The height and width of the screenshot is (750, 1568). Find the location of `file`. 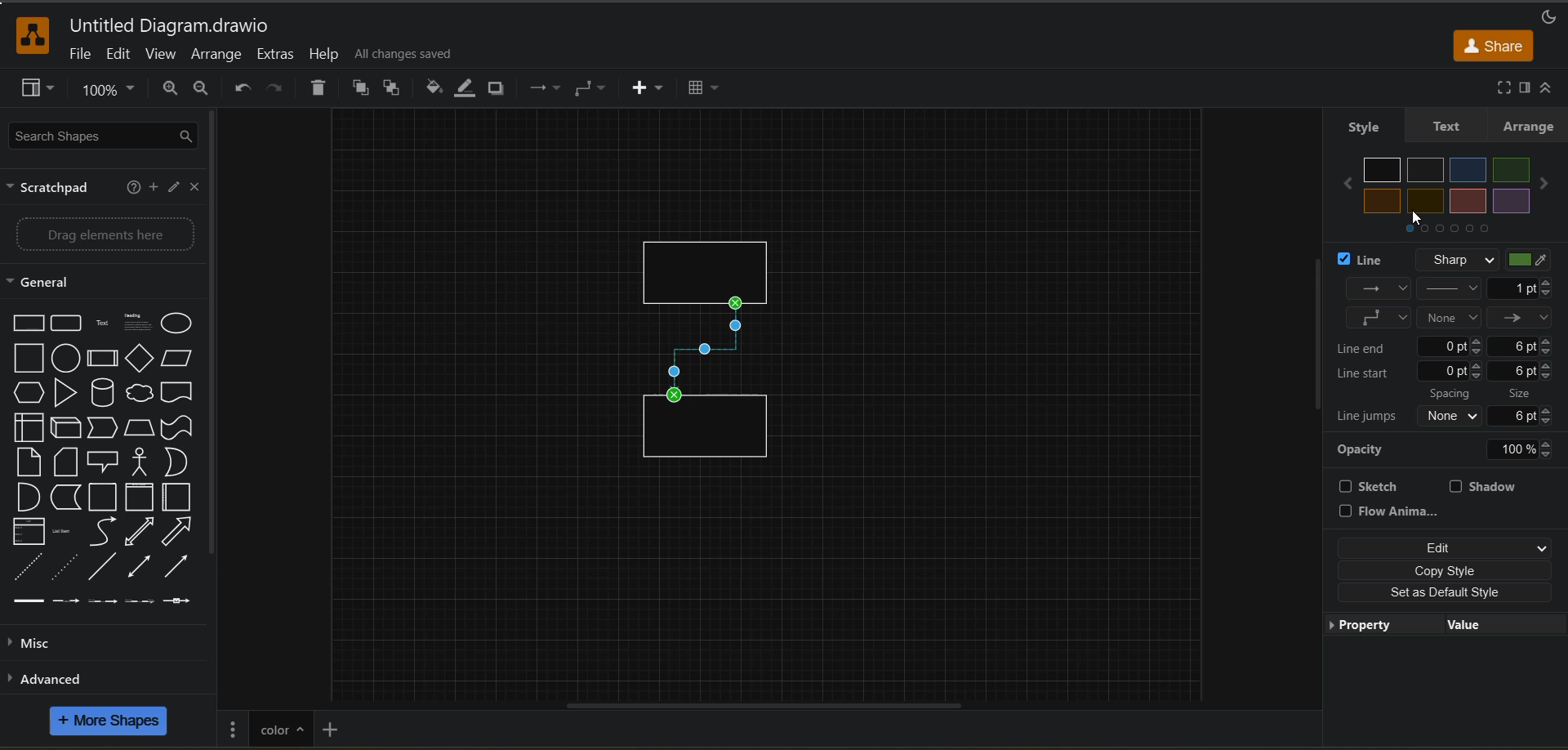

file is located at coordinates (81, 56).